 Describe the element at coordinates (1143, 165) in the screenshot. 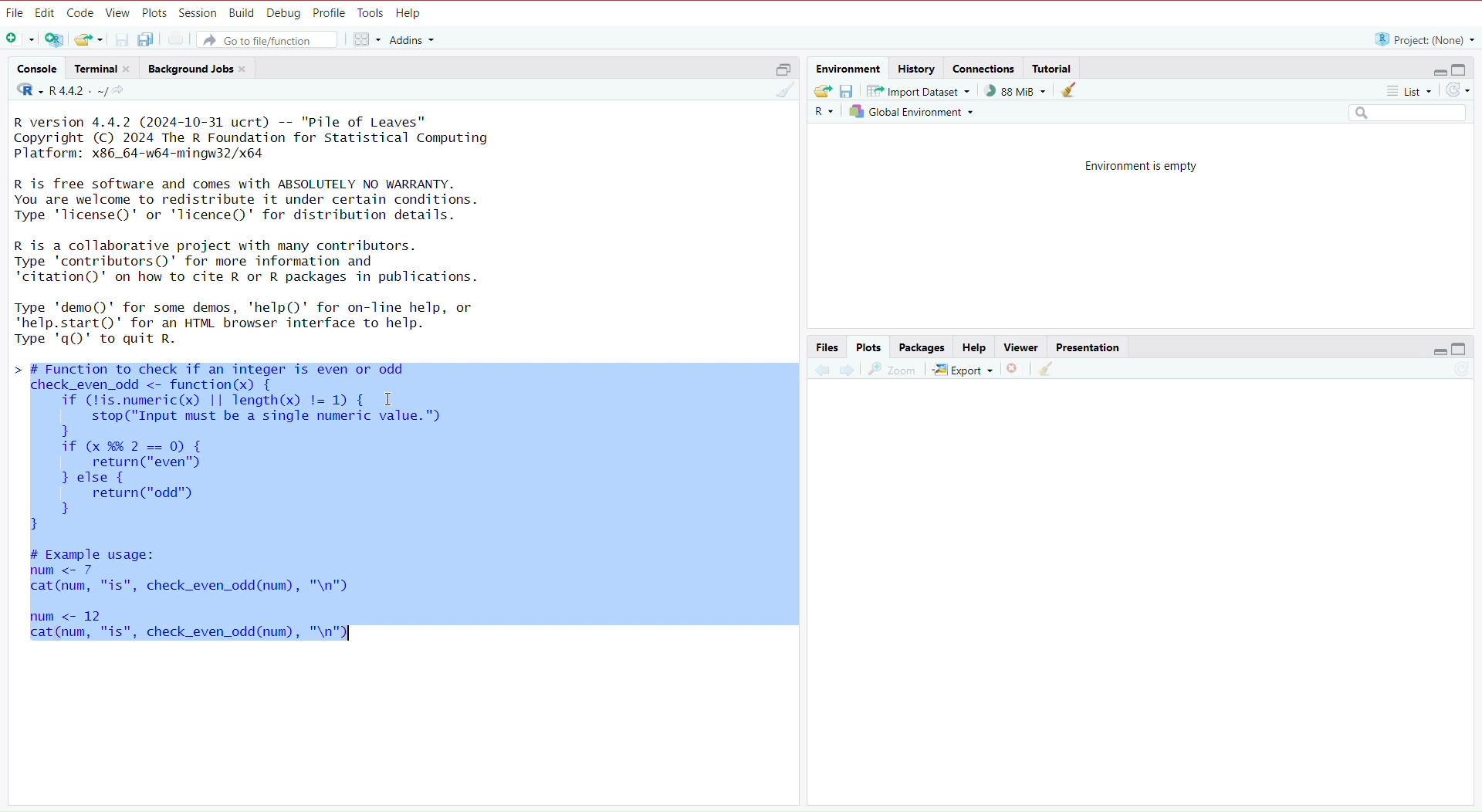

I see `Environment is empty` at that location.